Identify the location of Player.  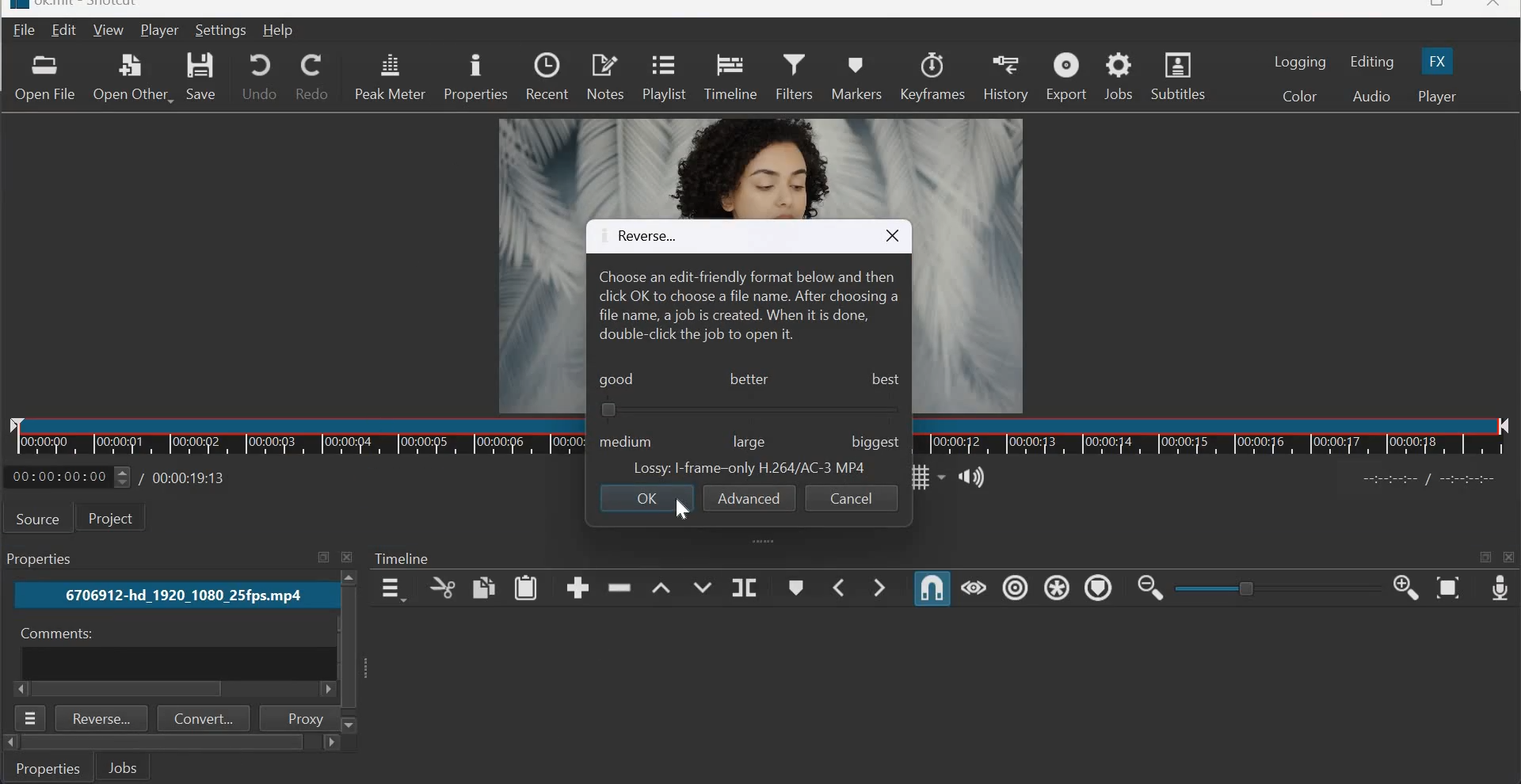
(159, 30).